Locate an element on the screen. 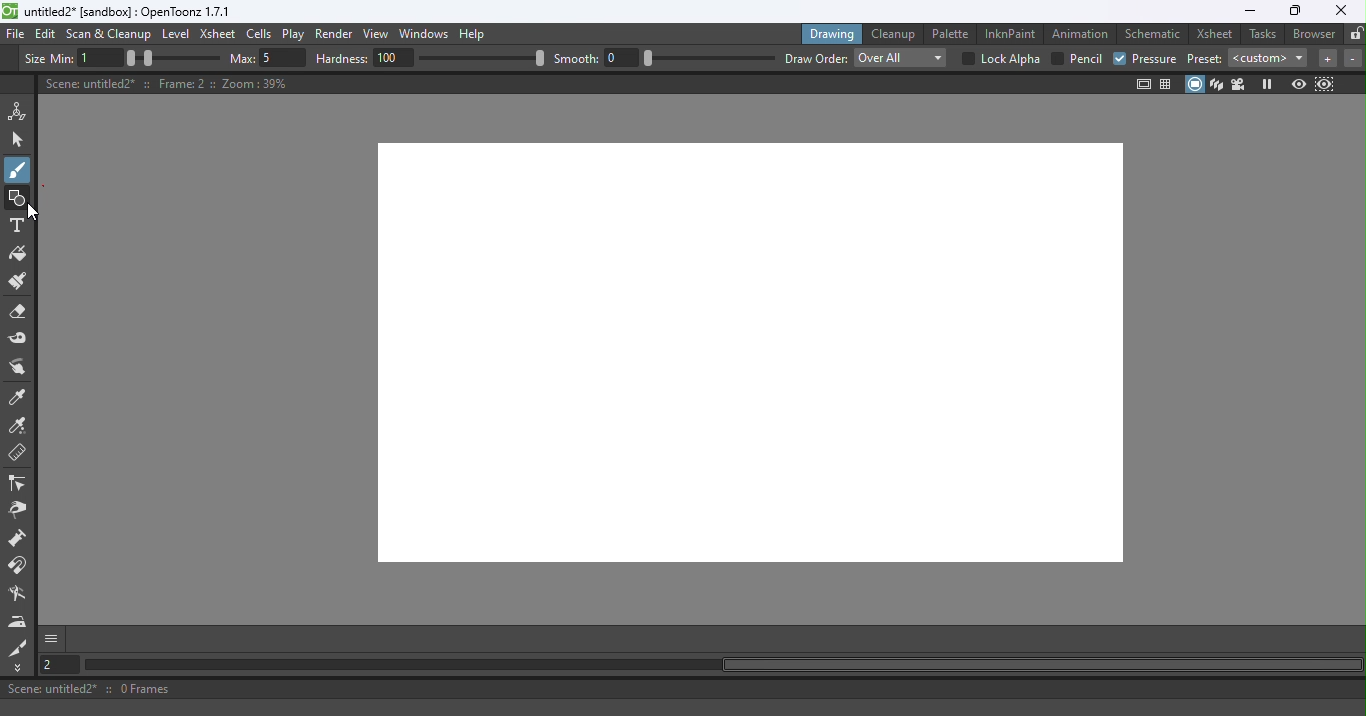 The image size is (1366, 716). Smooth is located at coordinates (578, 58).